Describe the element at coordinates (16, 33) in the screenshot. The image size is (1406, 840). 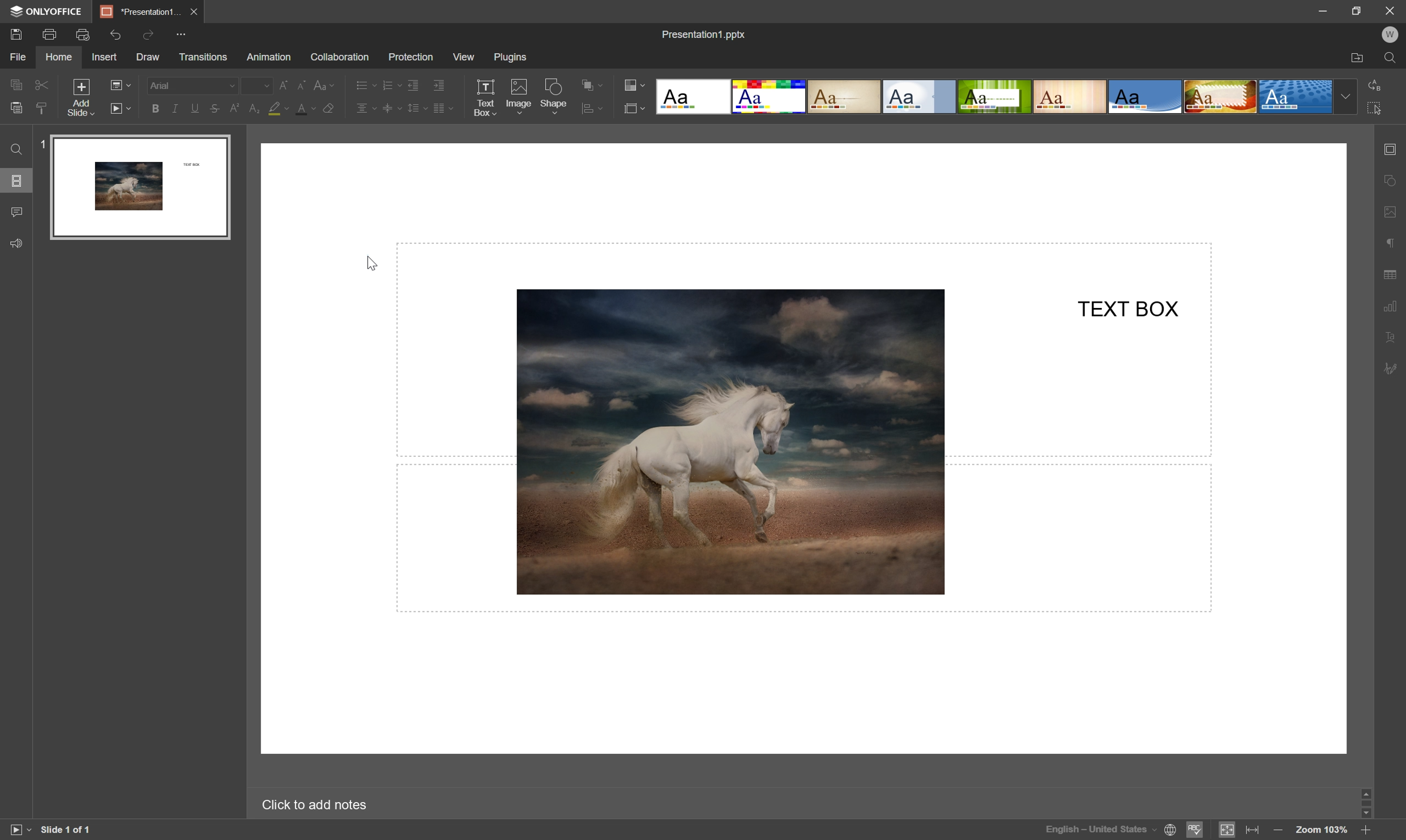
I see `save` at that location.